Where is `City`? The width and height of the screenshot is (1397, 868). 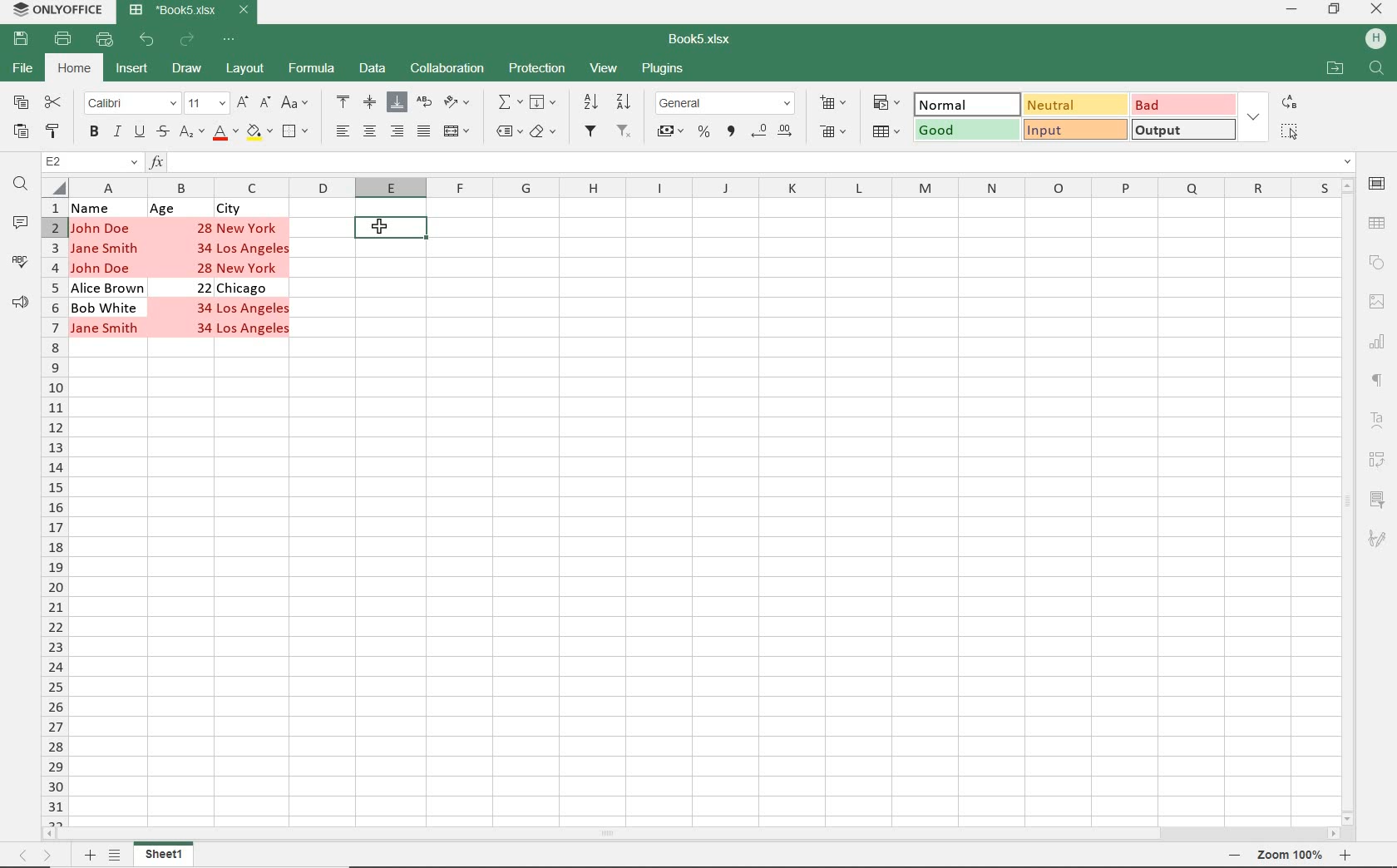 City is located at coordinates (233, 209).